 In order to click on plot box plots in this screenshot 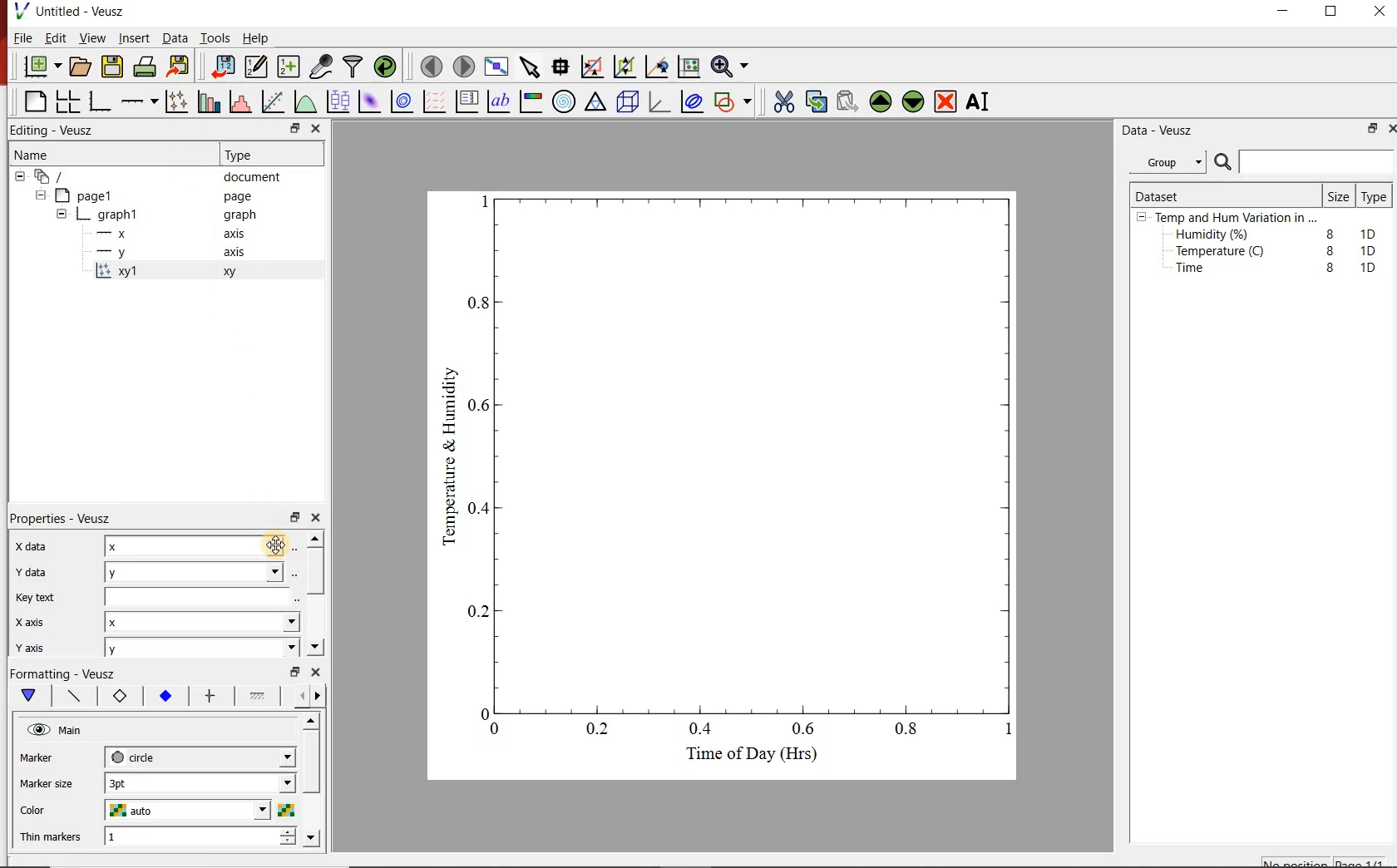, I will do `click(338, 102)`.